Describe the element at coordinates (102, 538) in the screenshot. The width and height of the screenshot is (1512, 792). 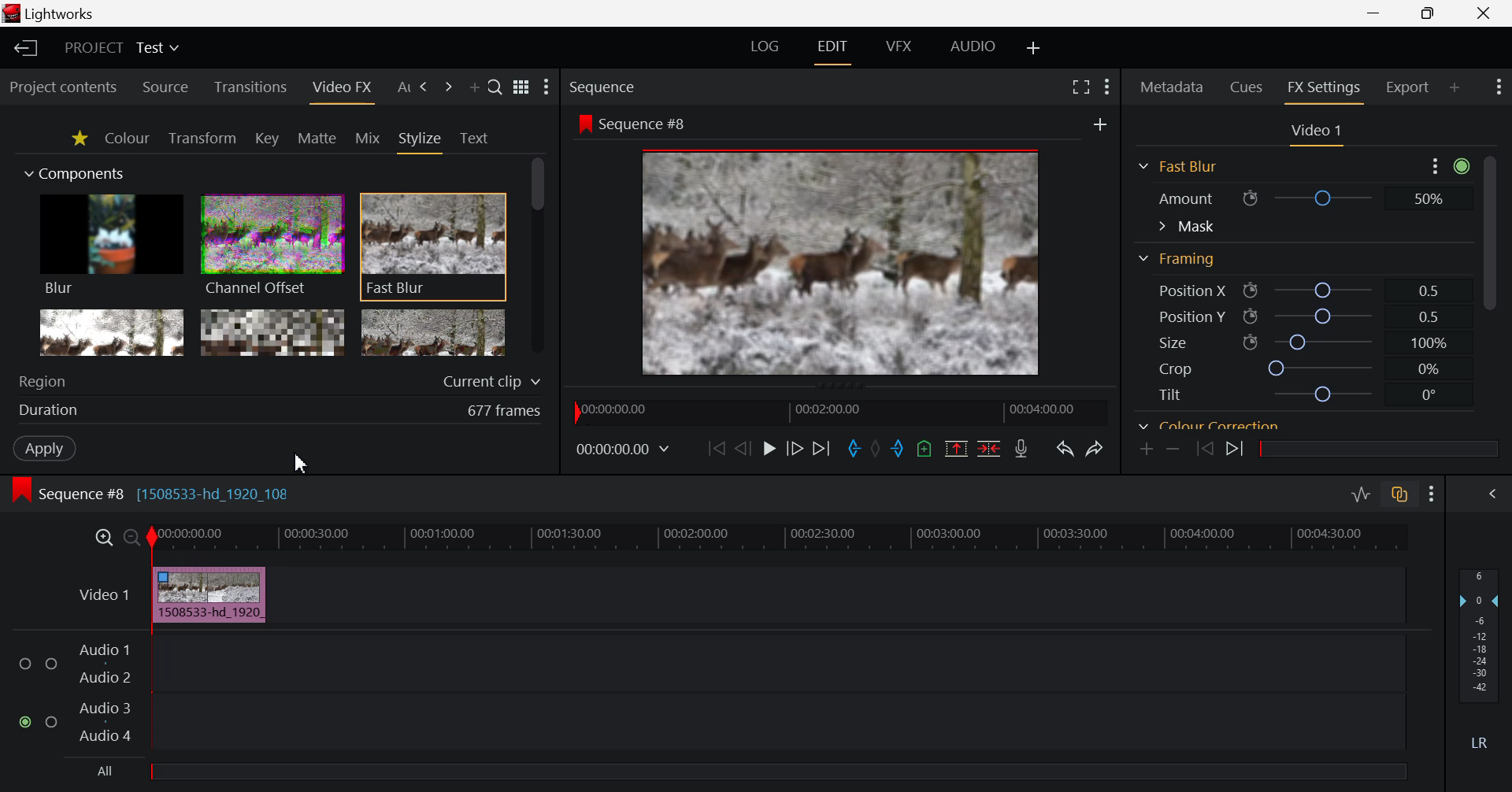
I see `Timeline Zoom In` at that location.